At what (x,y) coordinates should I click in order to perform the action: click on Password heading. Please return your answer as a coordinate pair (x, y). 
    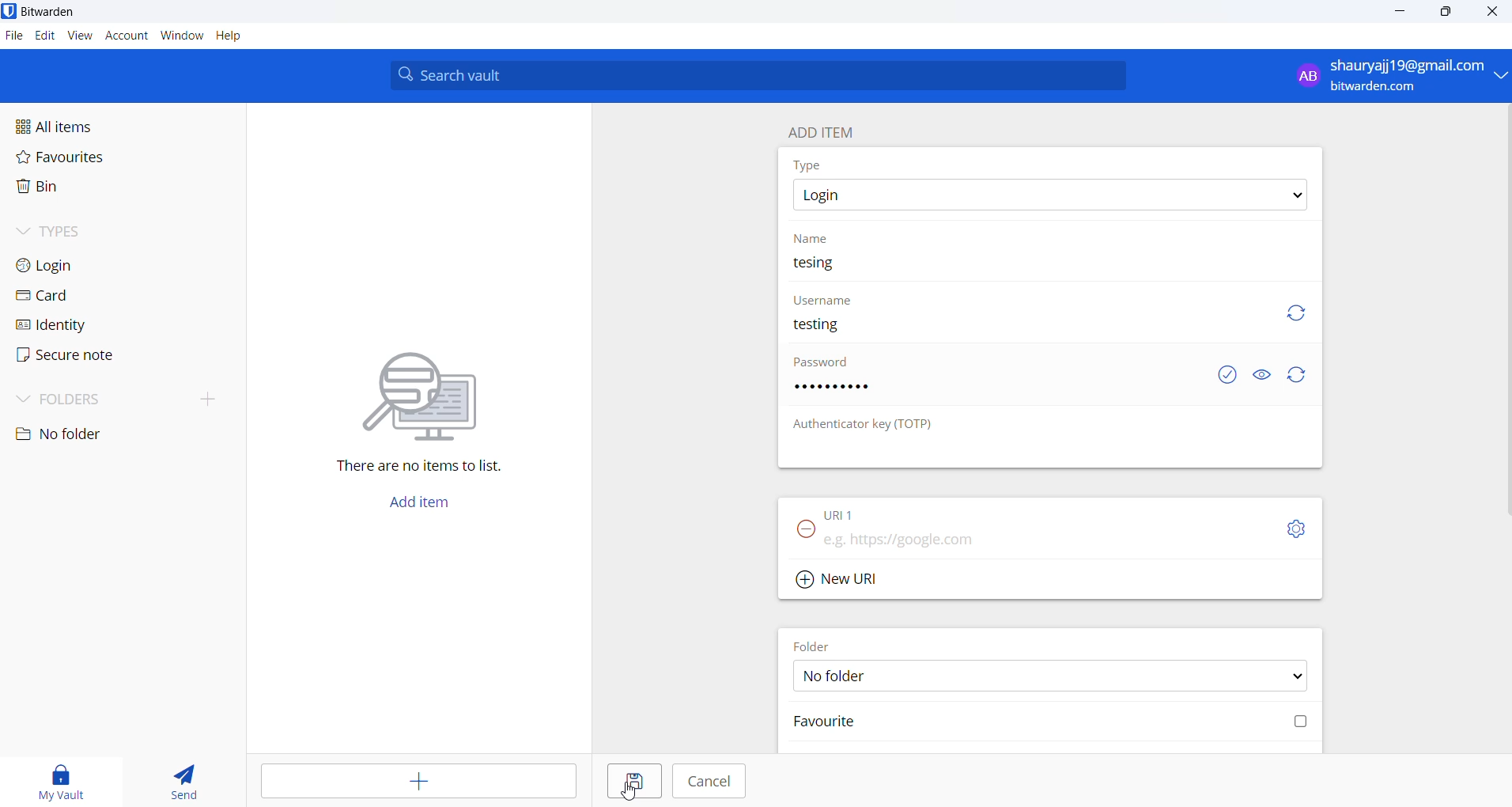
    Looking at the image, I should click on (826, 366).